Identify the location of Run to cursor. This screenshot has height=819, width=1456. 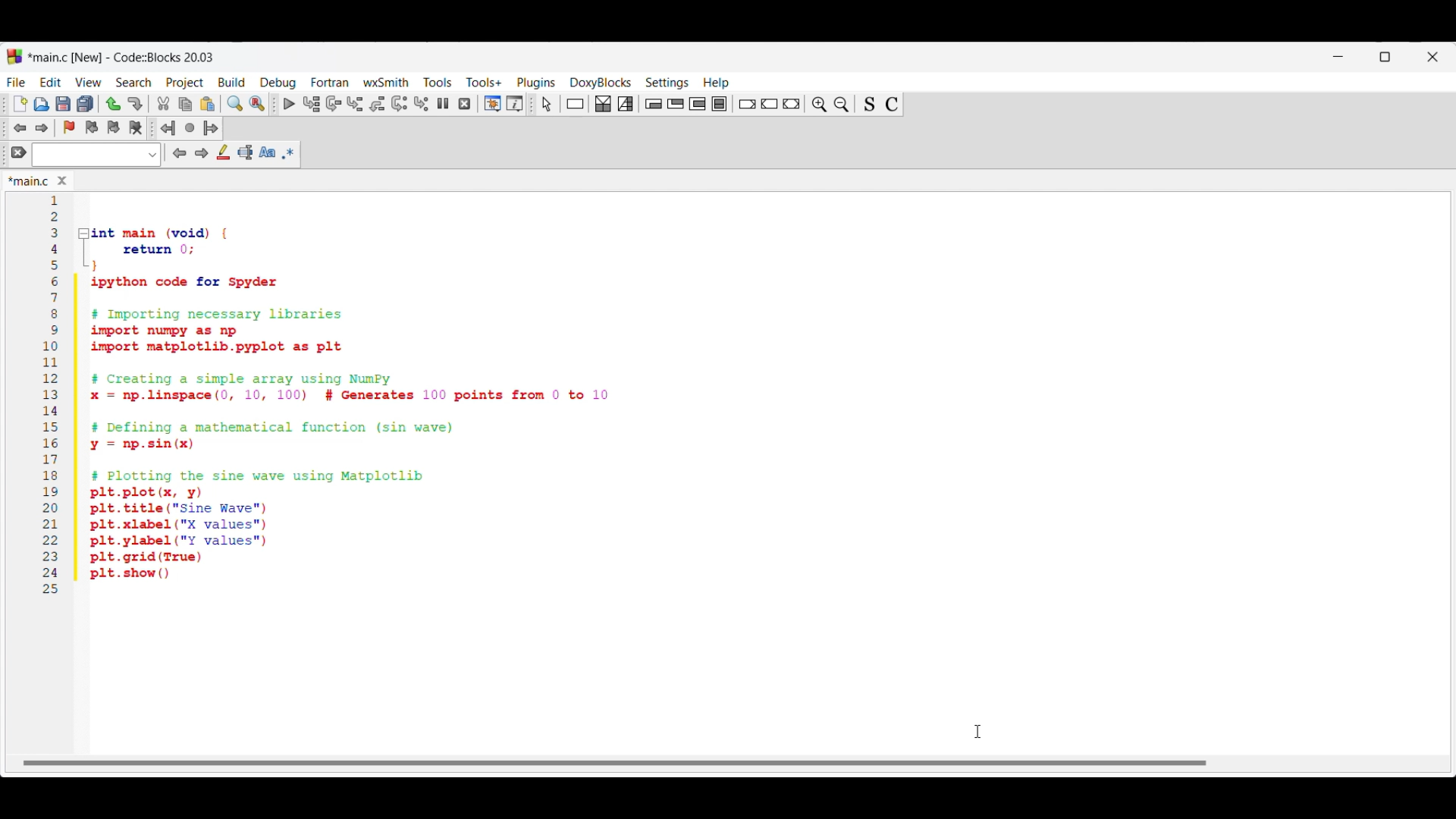
(312, 103).